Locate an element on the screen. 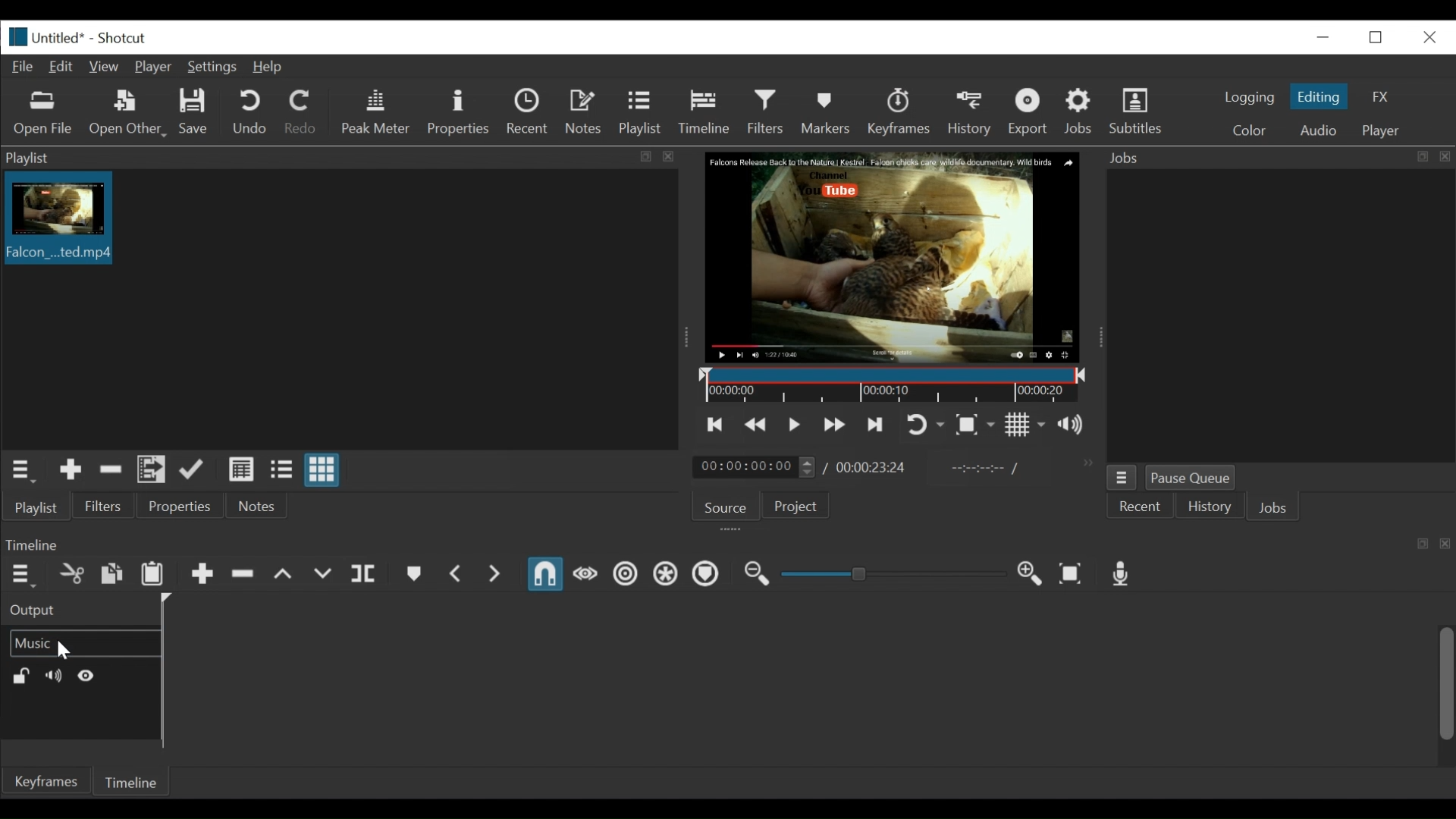  Next Marker is located at coordinates (495, 575).